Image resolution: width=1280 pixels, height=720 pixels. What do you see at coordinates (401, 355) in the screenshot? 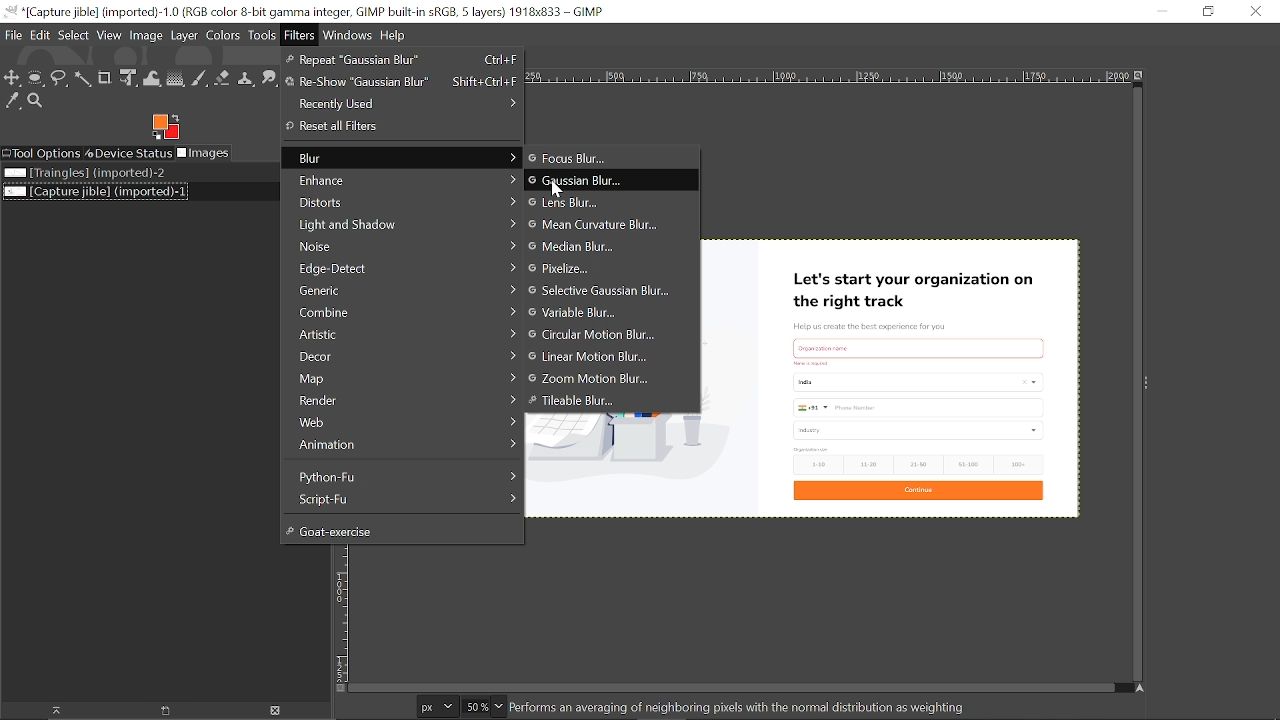
I see `Decor` at bounding box center [401, 355].